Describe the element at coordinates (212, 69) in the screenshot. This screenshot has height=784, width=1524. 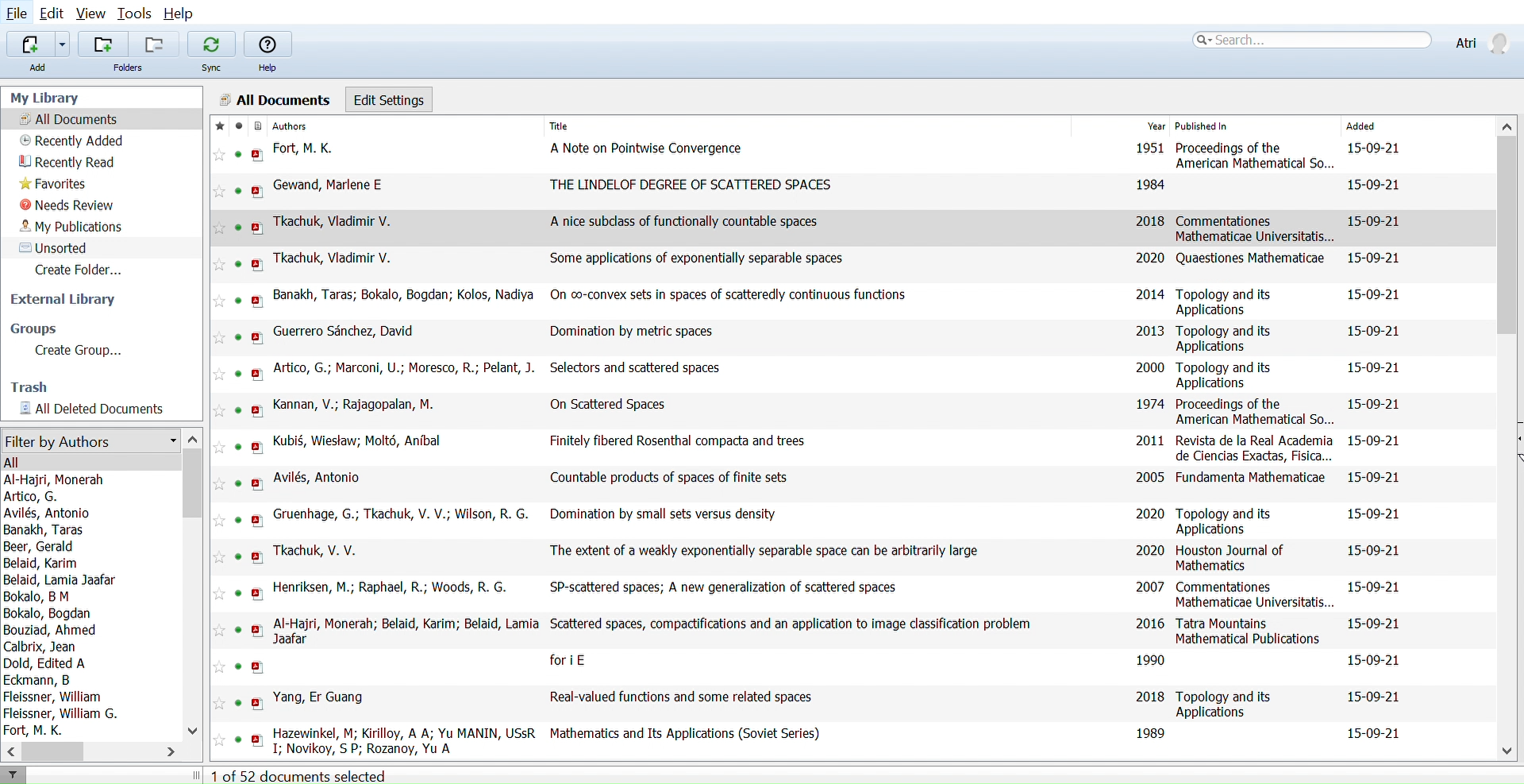
I see `Sync` at that location.